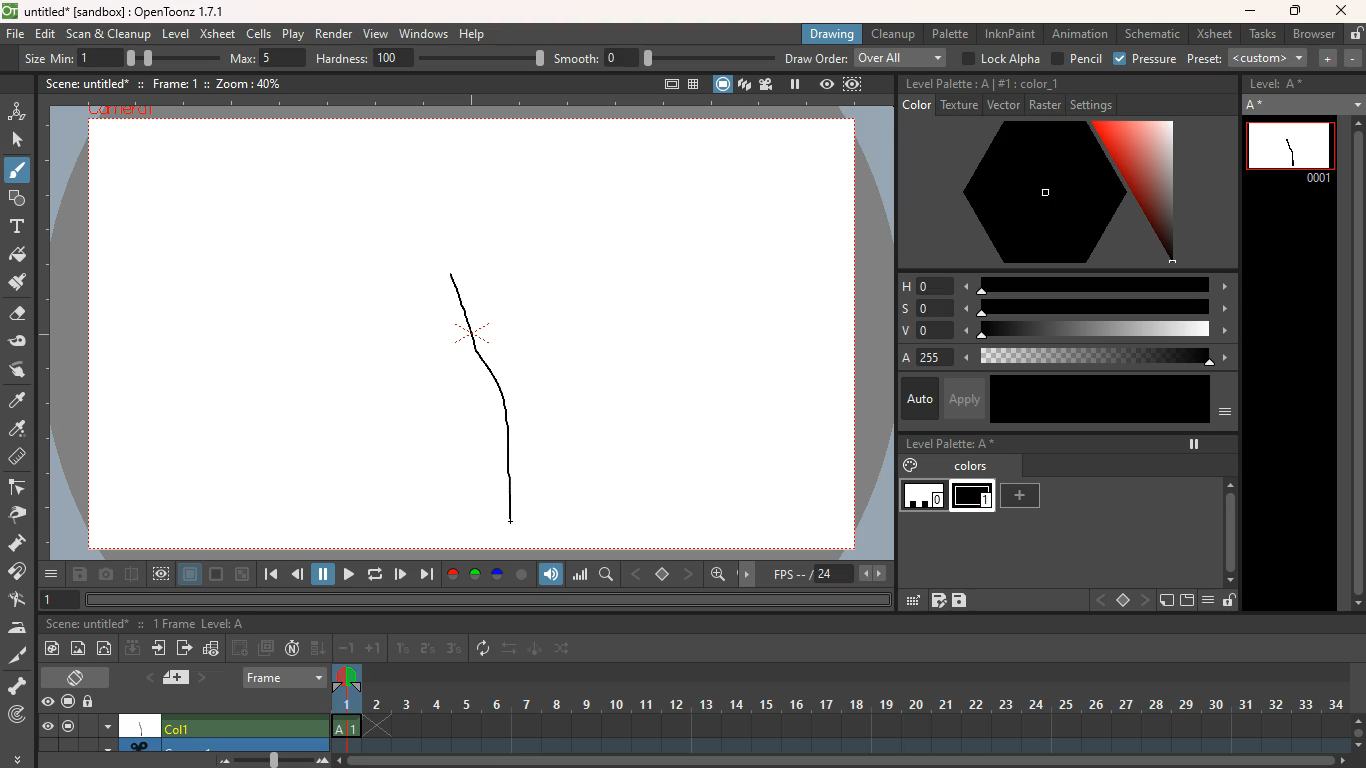 This screenshot has height=768, width=1366. I want to click on +1, so click(374, 650).